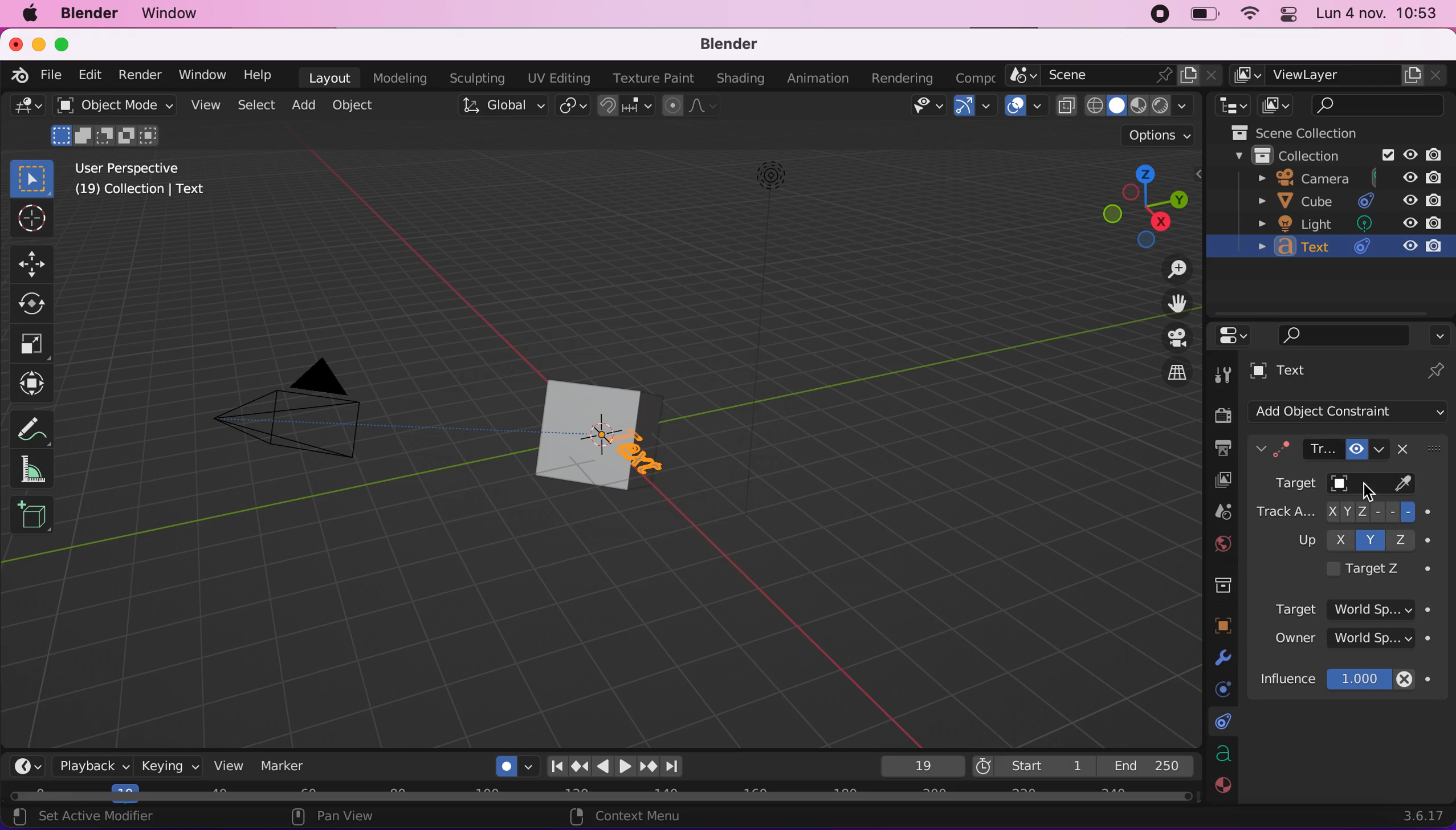 The image size is (1456, 830). I want to click on material, so click(1223, 788).